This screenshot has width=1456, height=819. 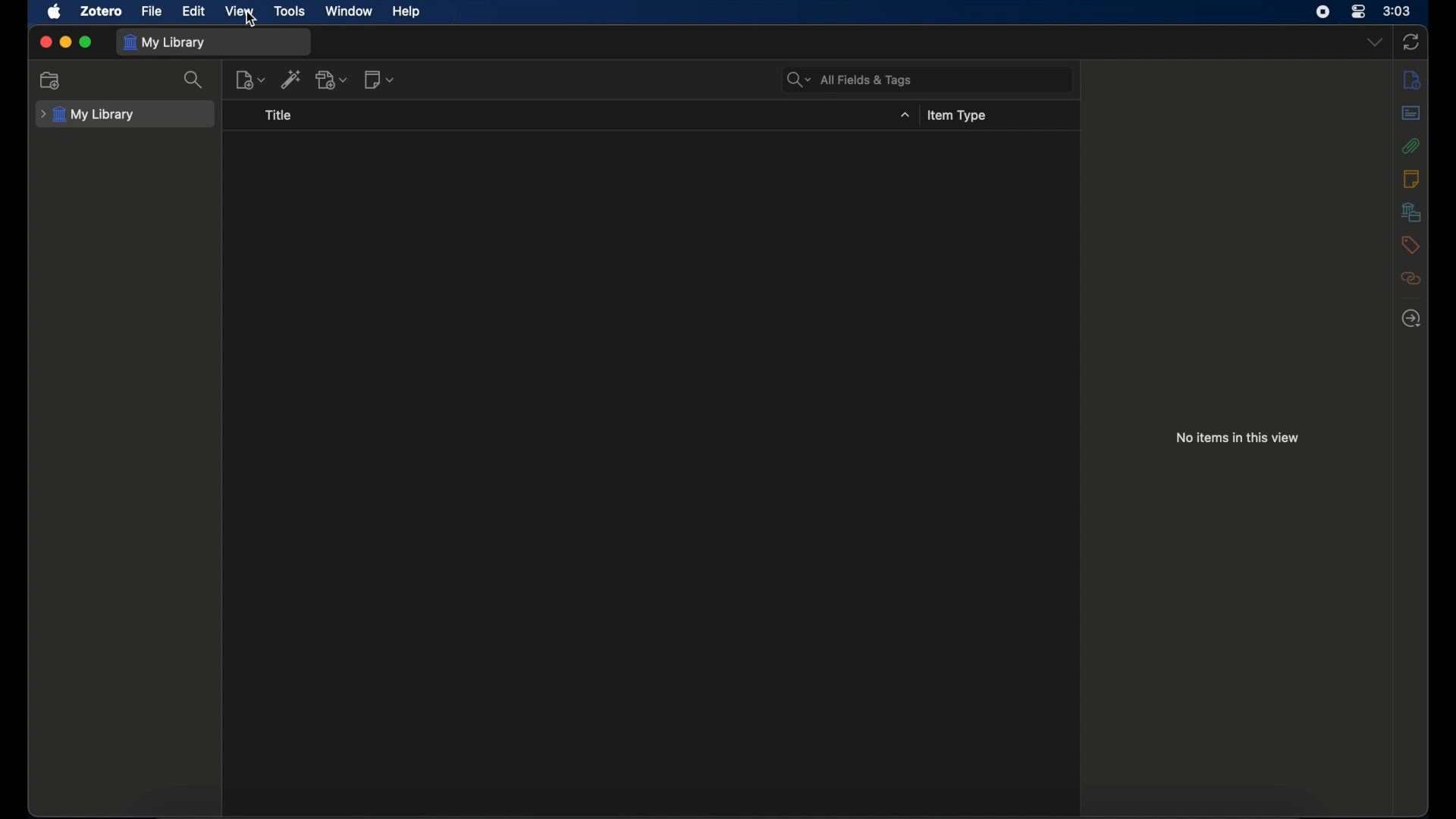 I want to click on close, so click(x=46, y=42).